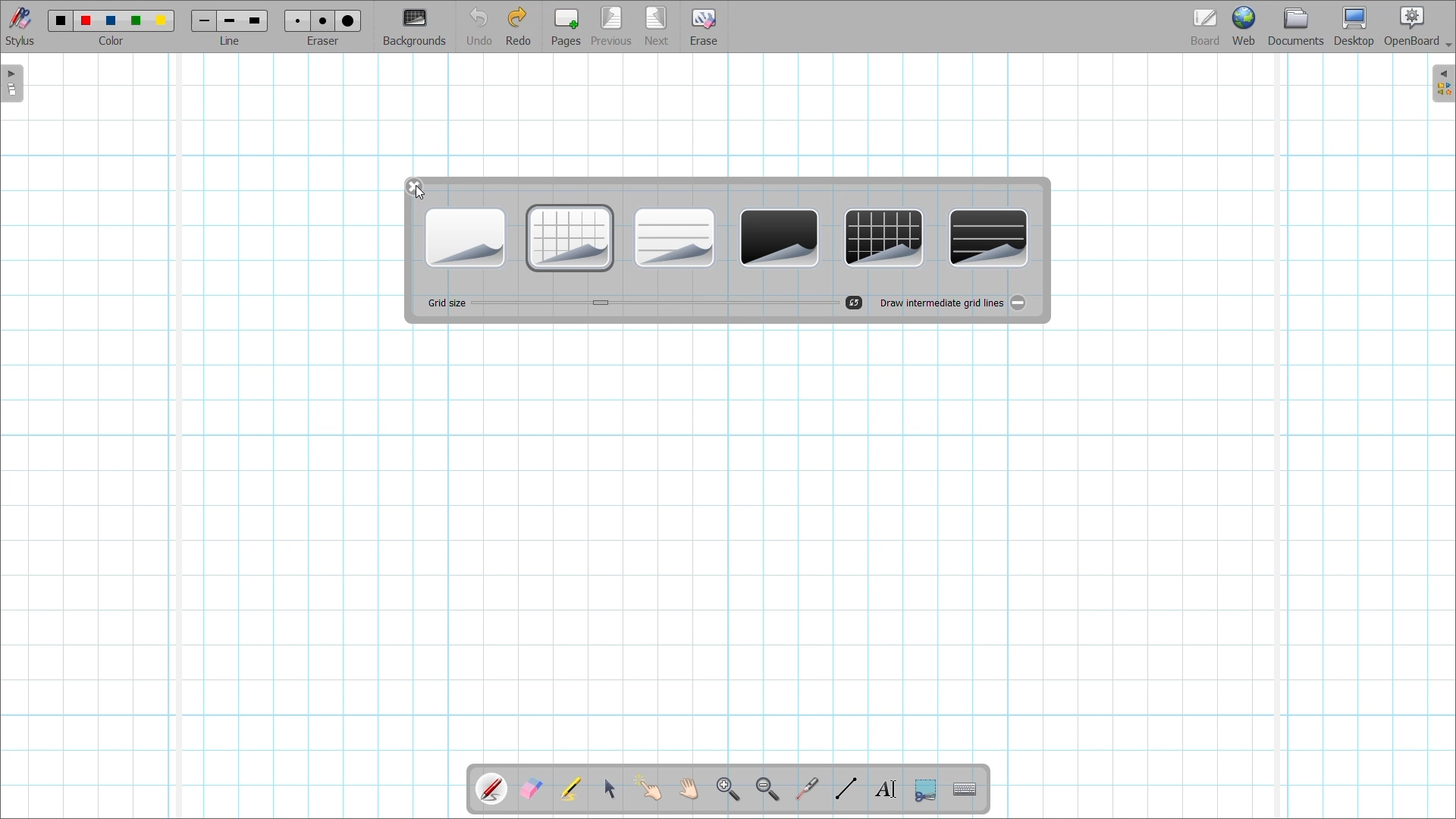 This screenshot has width=1456, height=819. I want to click on Change background, so click(415, 28).